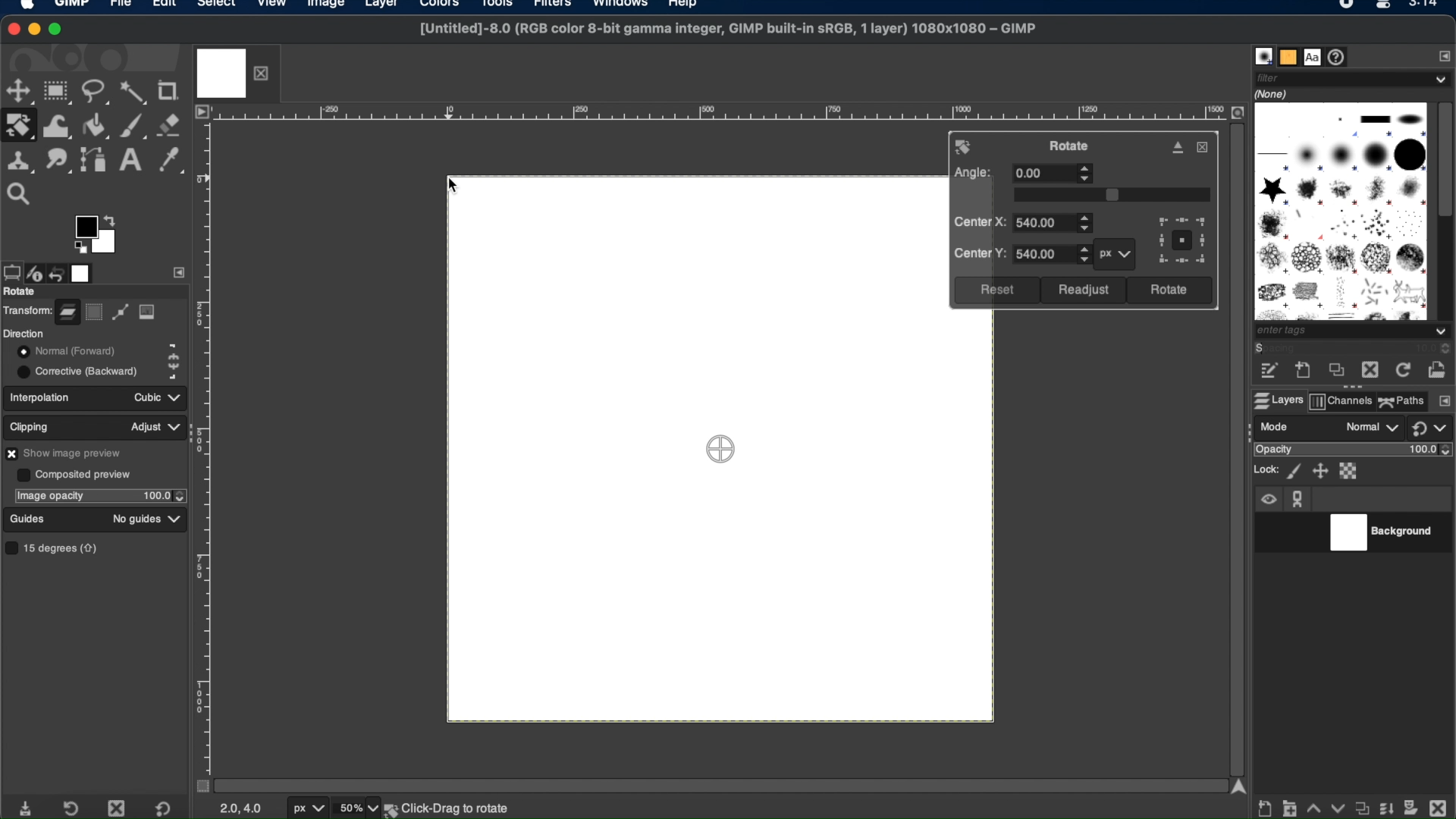 This screenshot has height=819, width=1456. What do you see at coordinates (1269, 372) in the screenshot?
I see `edit this brush` at bounding box center [1269, 372].